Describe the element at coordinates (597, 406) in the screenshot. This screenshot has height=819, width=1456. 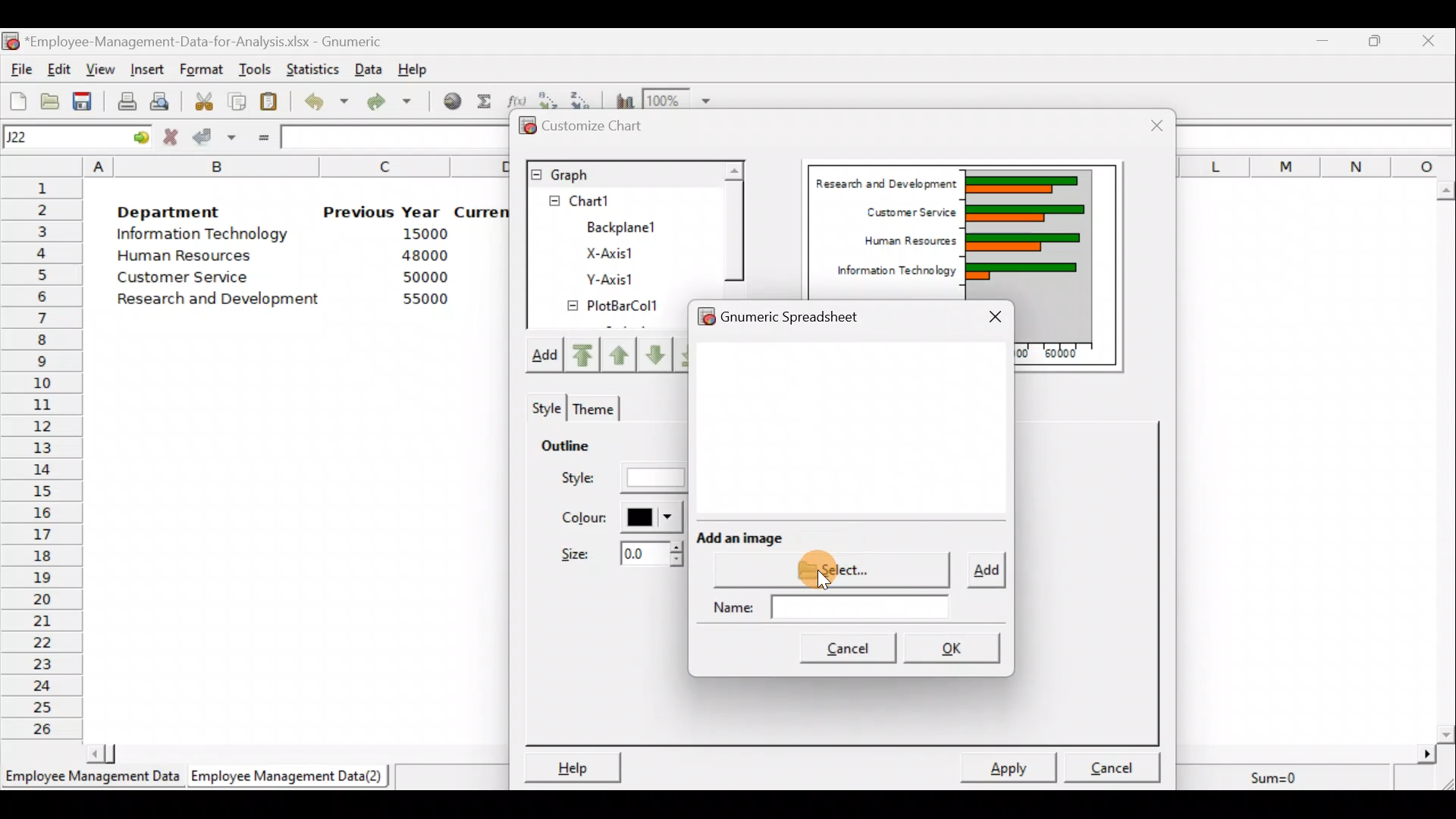
I see `Theme` at that location.